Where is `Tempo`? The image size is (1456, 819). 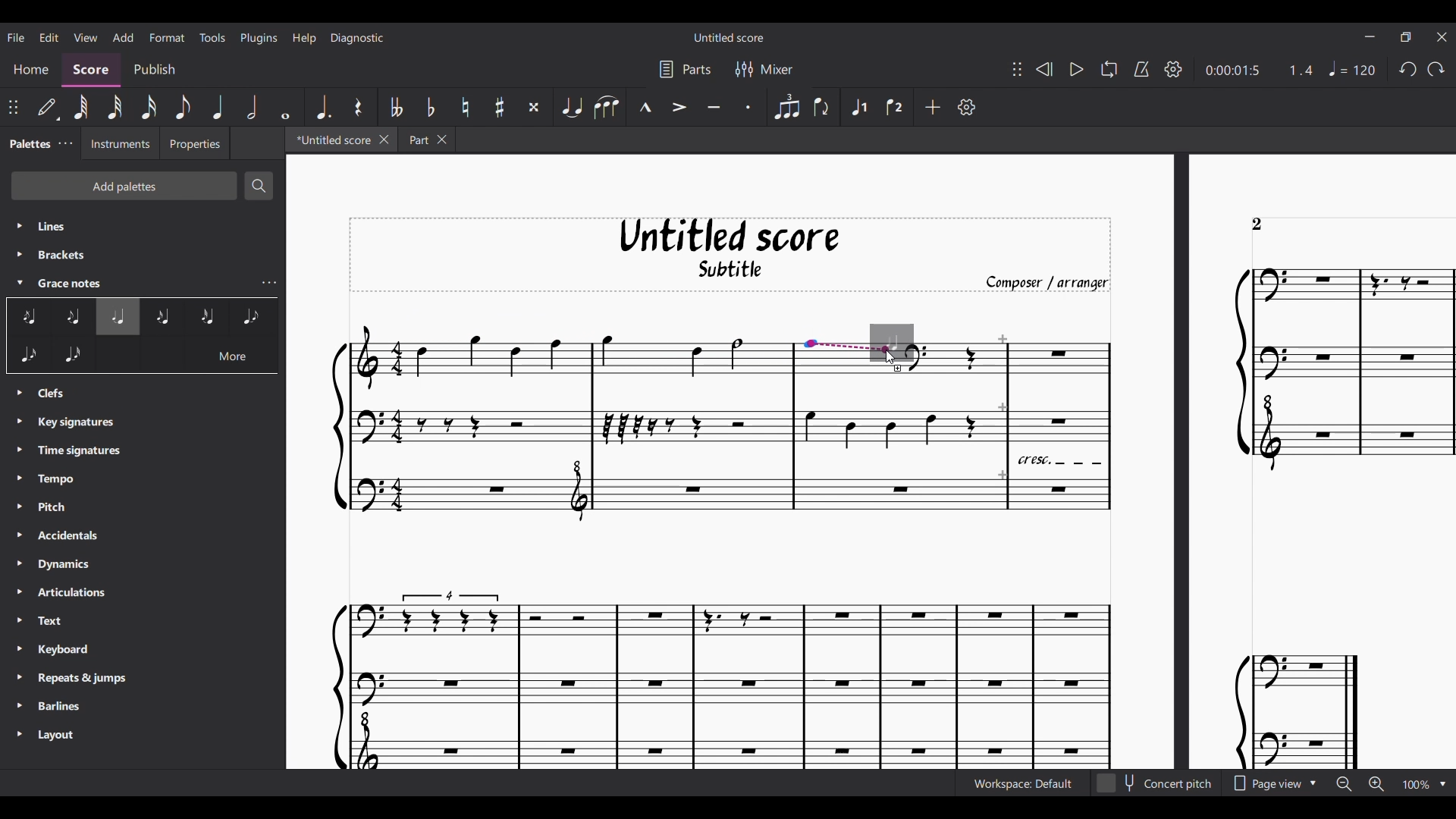 Tempo is located at coordinates (1352, 68).